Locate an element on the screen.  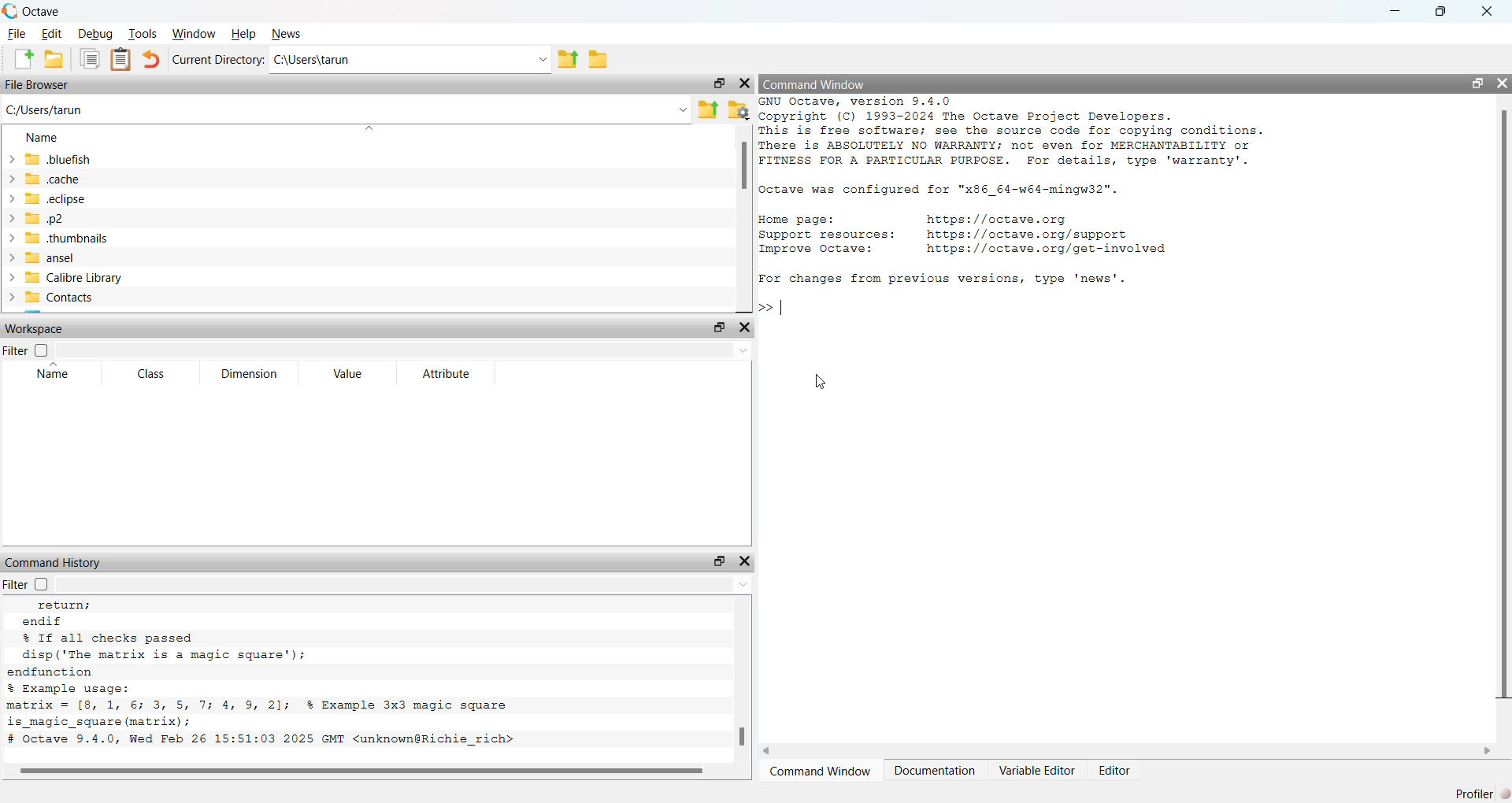
Filter is located at coordinates (32, 583).